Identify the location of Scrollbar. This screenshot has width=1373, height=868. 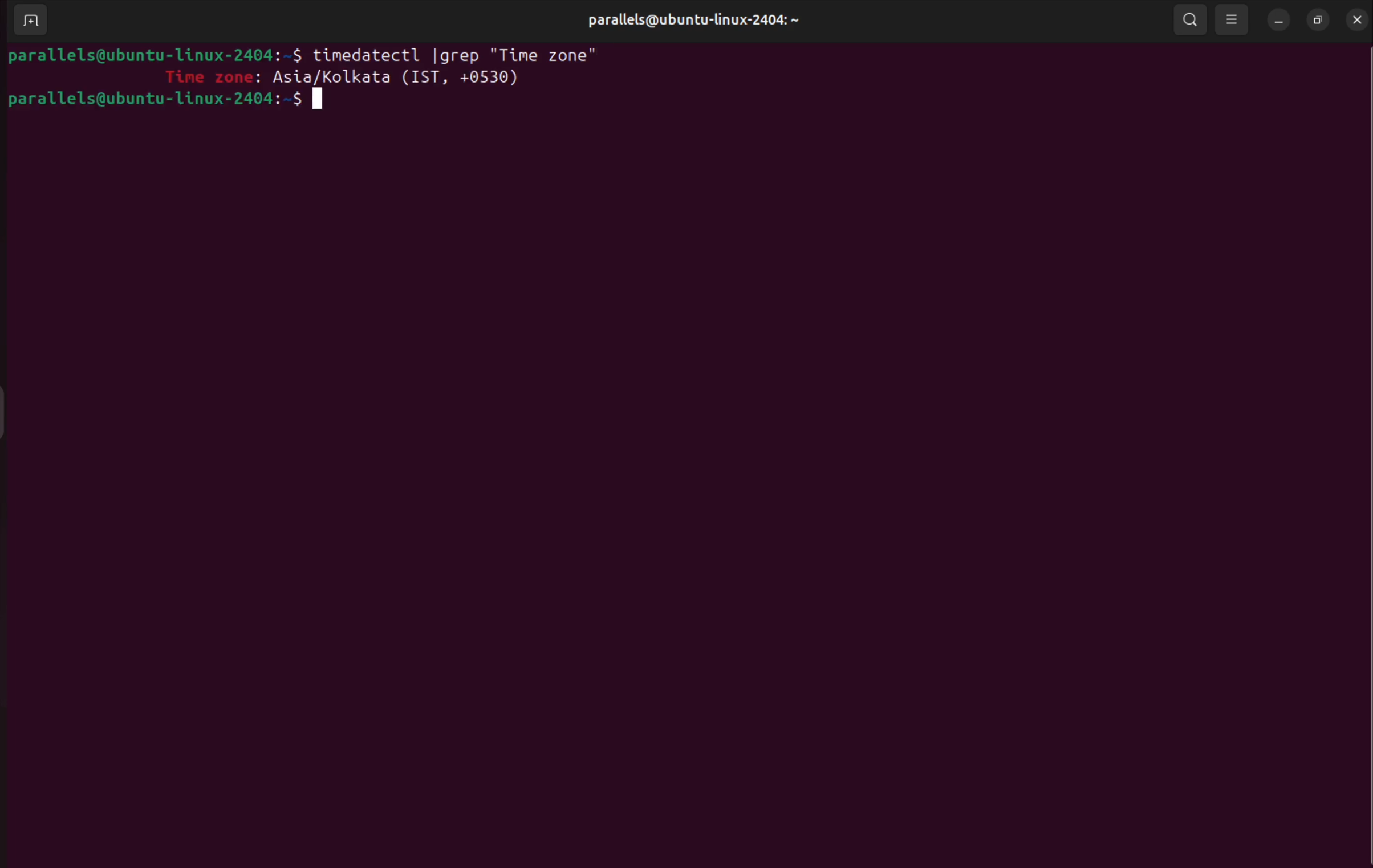
(1364, 430).